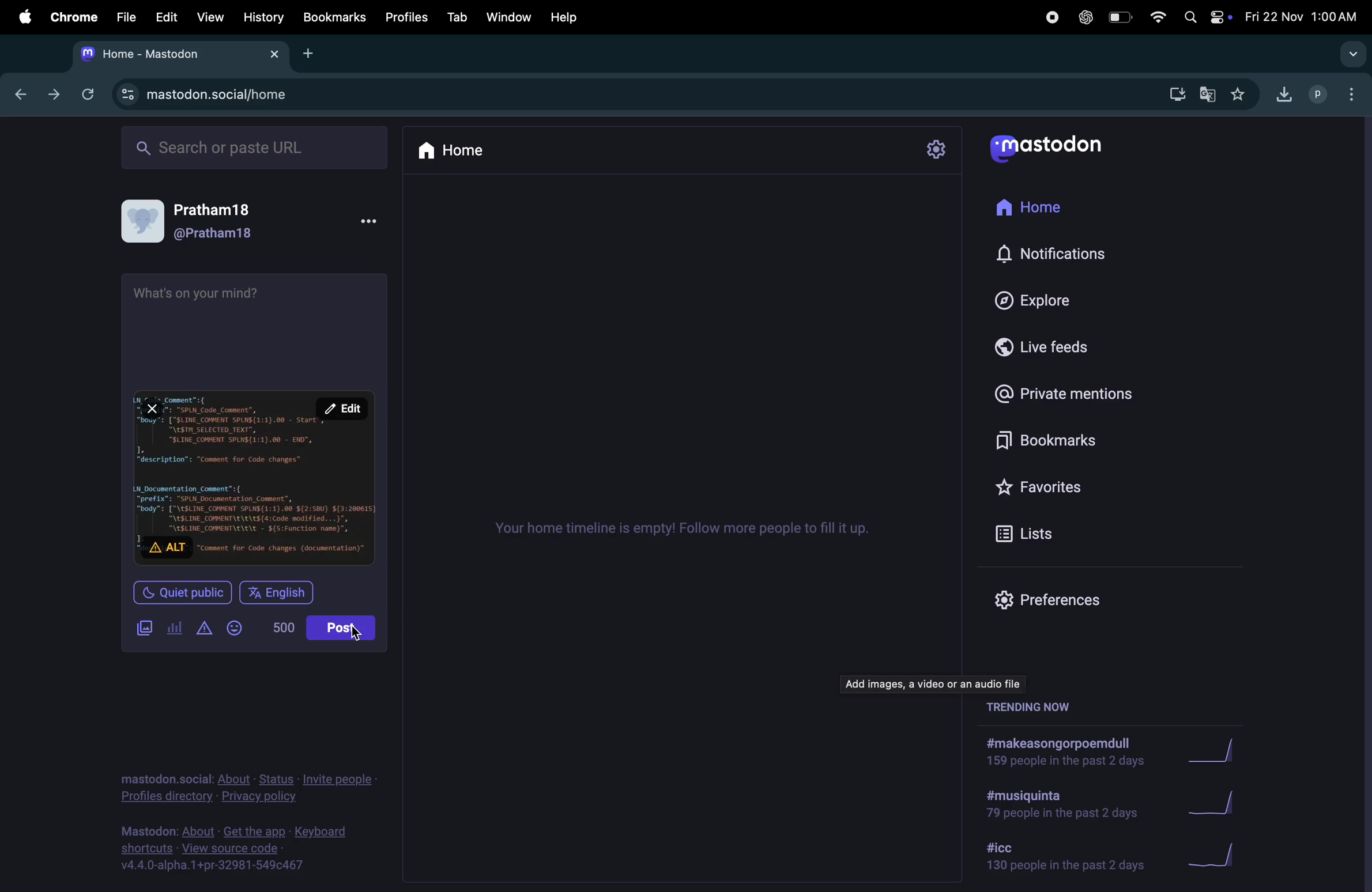 The image size is (1372, 892). I want to click on source code, so click(251, 848).